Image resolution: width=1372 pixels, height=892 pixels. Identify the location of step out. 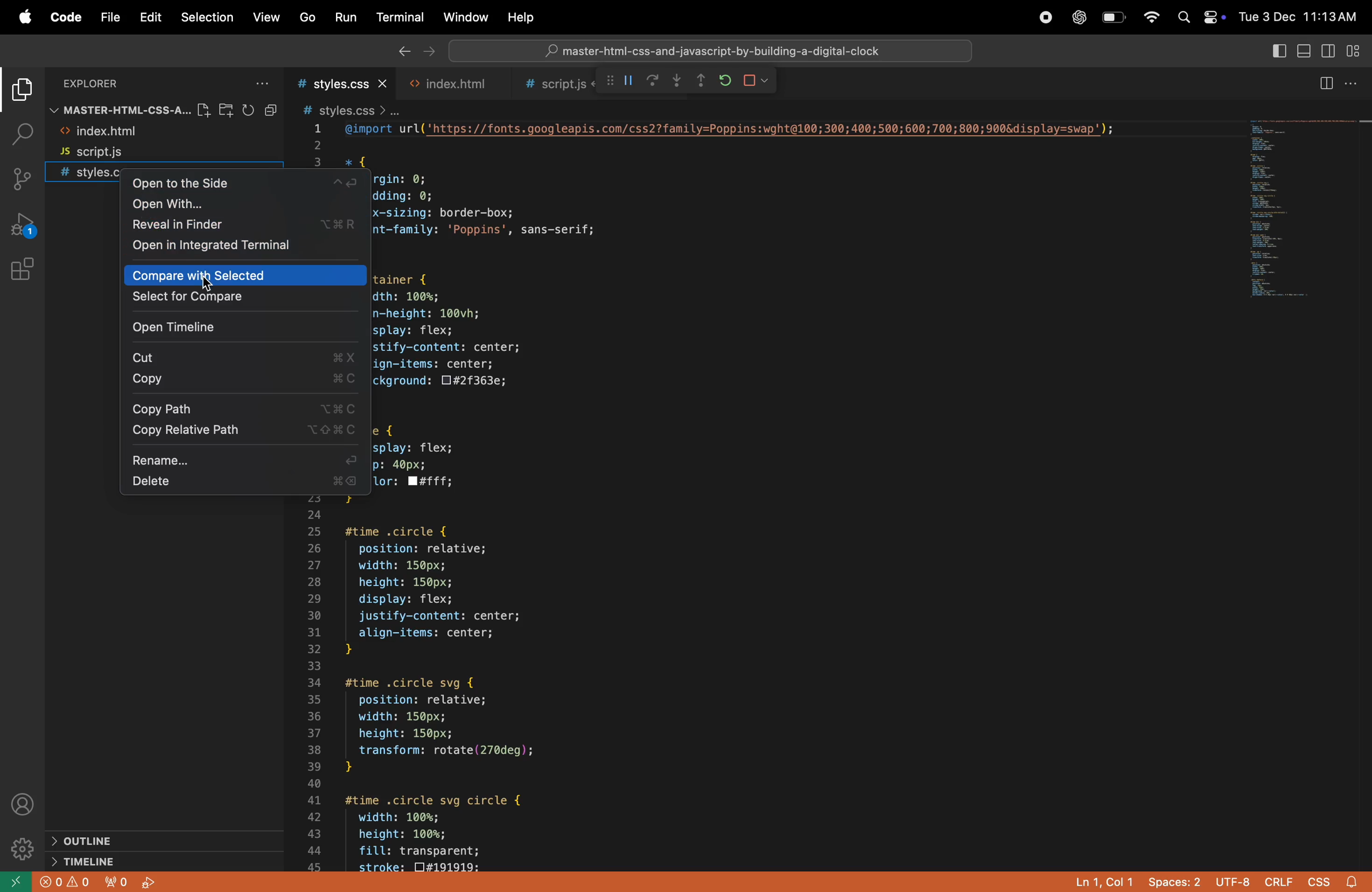
(701, 84).